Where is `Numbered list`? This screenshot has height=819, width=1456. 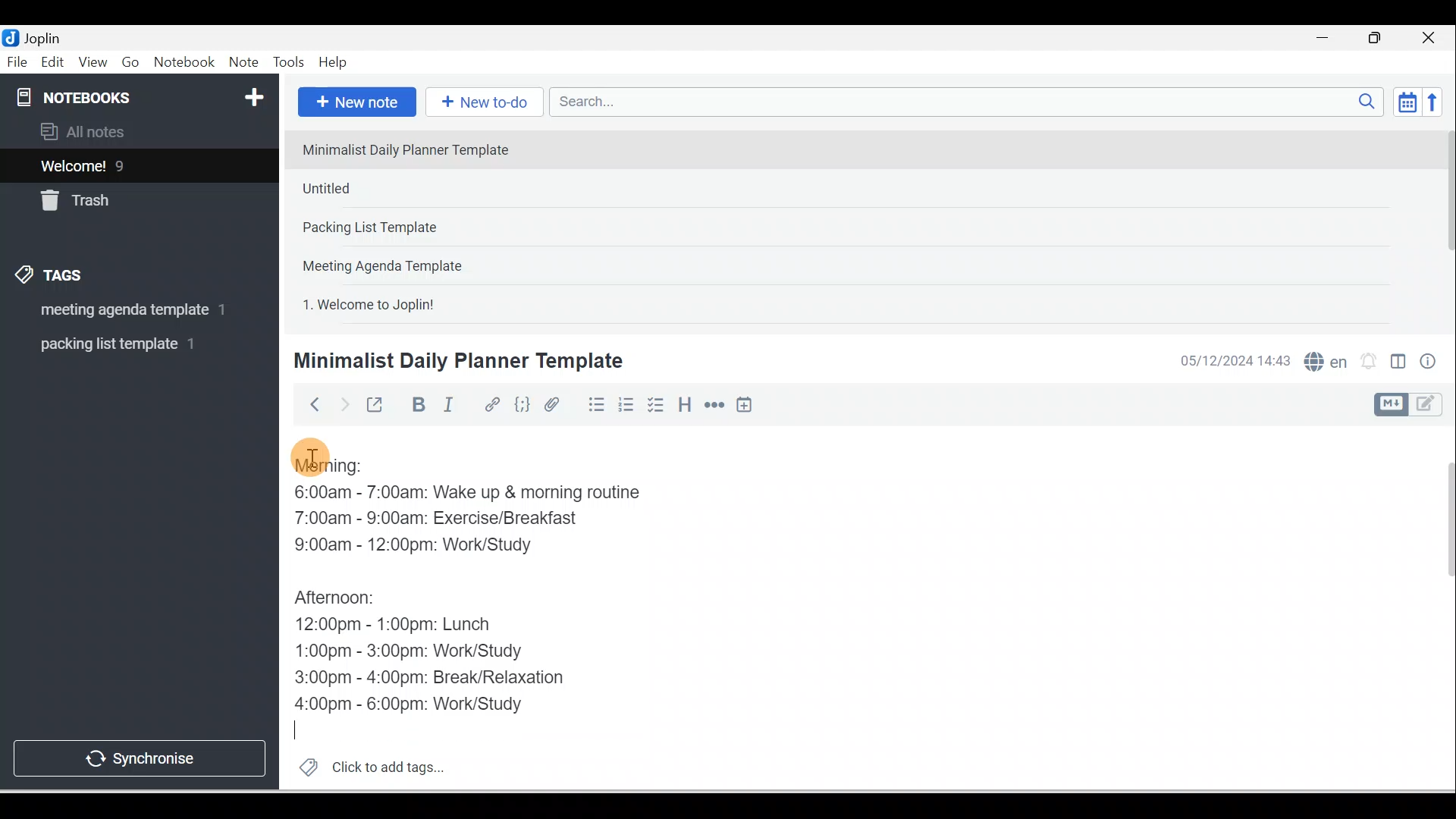 Numbered list is located at coordinates (626, 404).